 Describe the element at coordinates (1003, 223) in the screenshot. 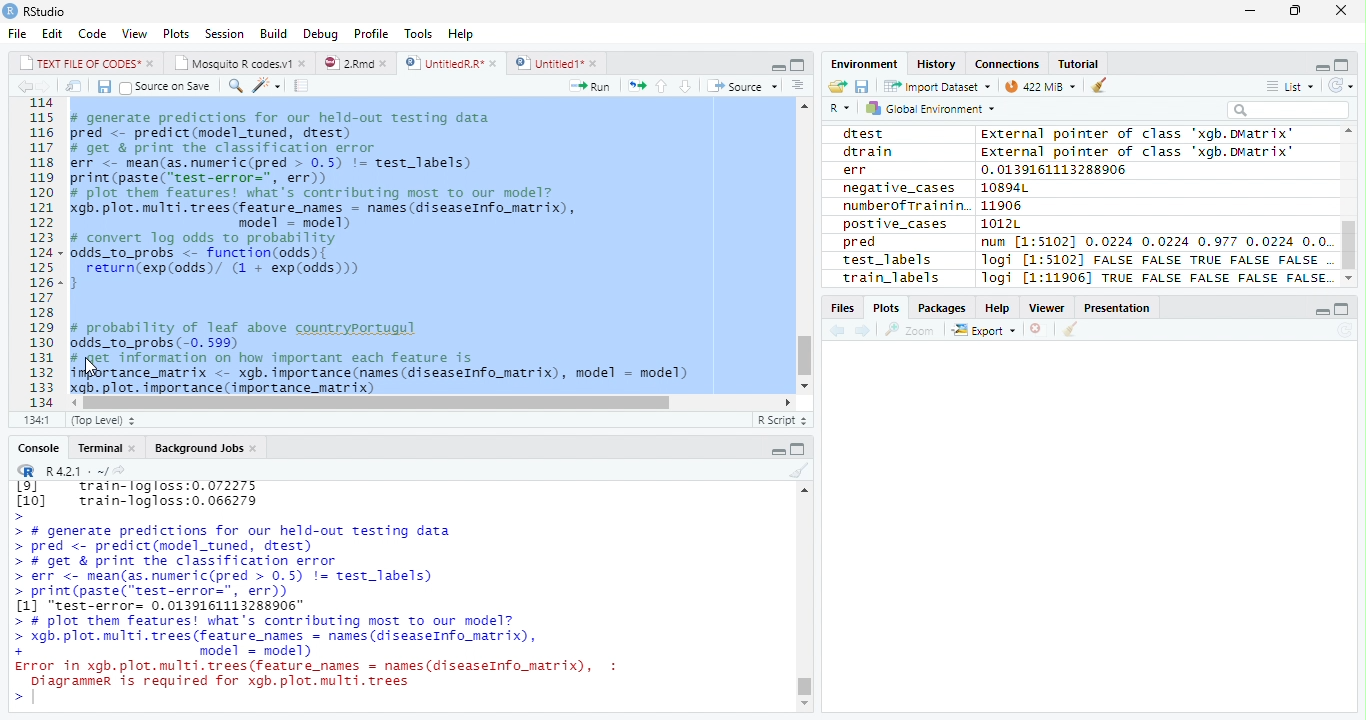

I see `1012L` at that location.